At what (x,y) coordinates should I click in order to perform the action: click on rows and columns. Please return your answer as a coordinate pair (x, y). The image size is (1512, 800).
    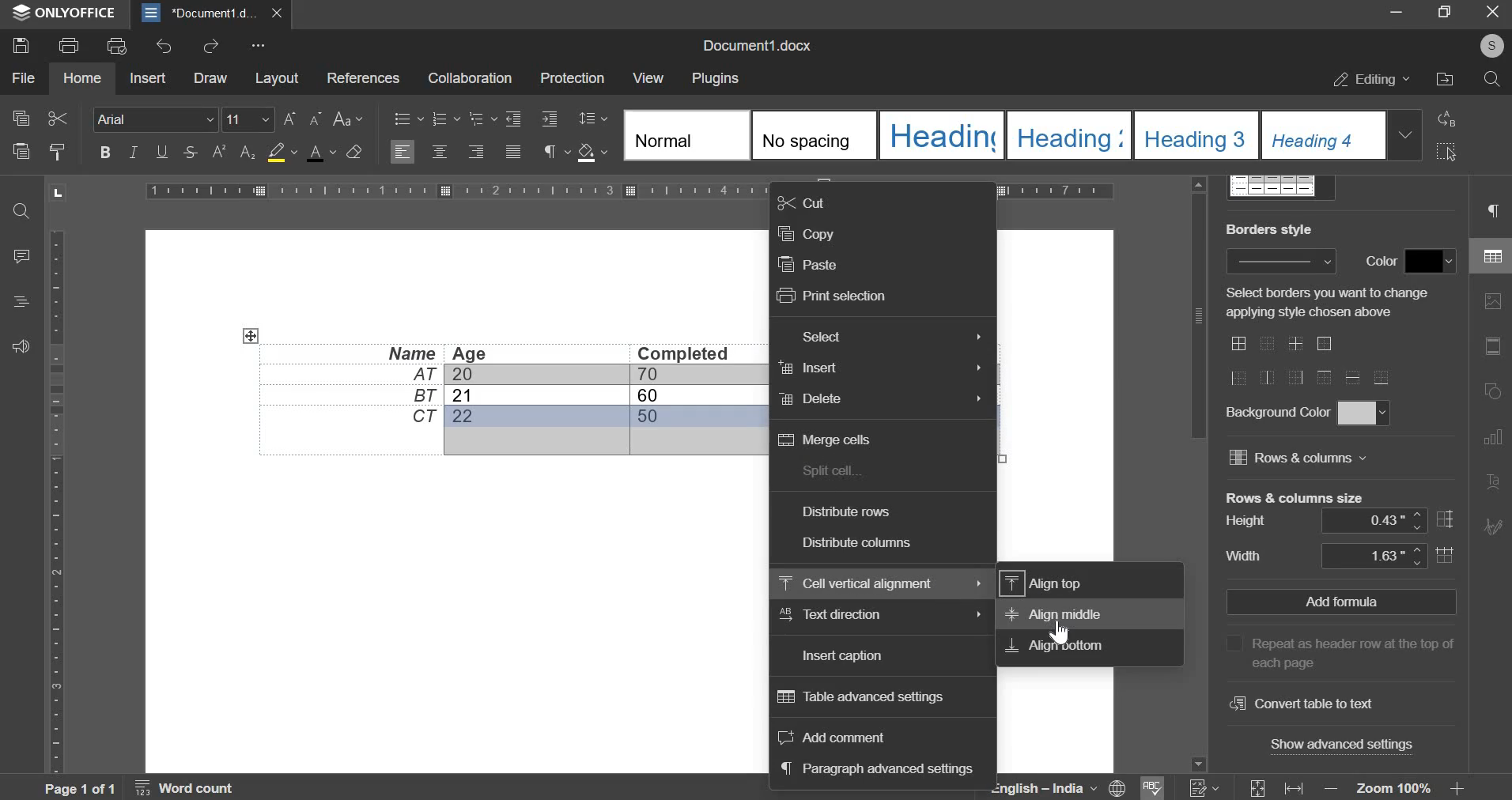
    Looking at the image, I should click on (1313, 458).